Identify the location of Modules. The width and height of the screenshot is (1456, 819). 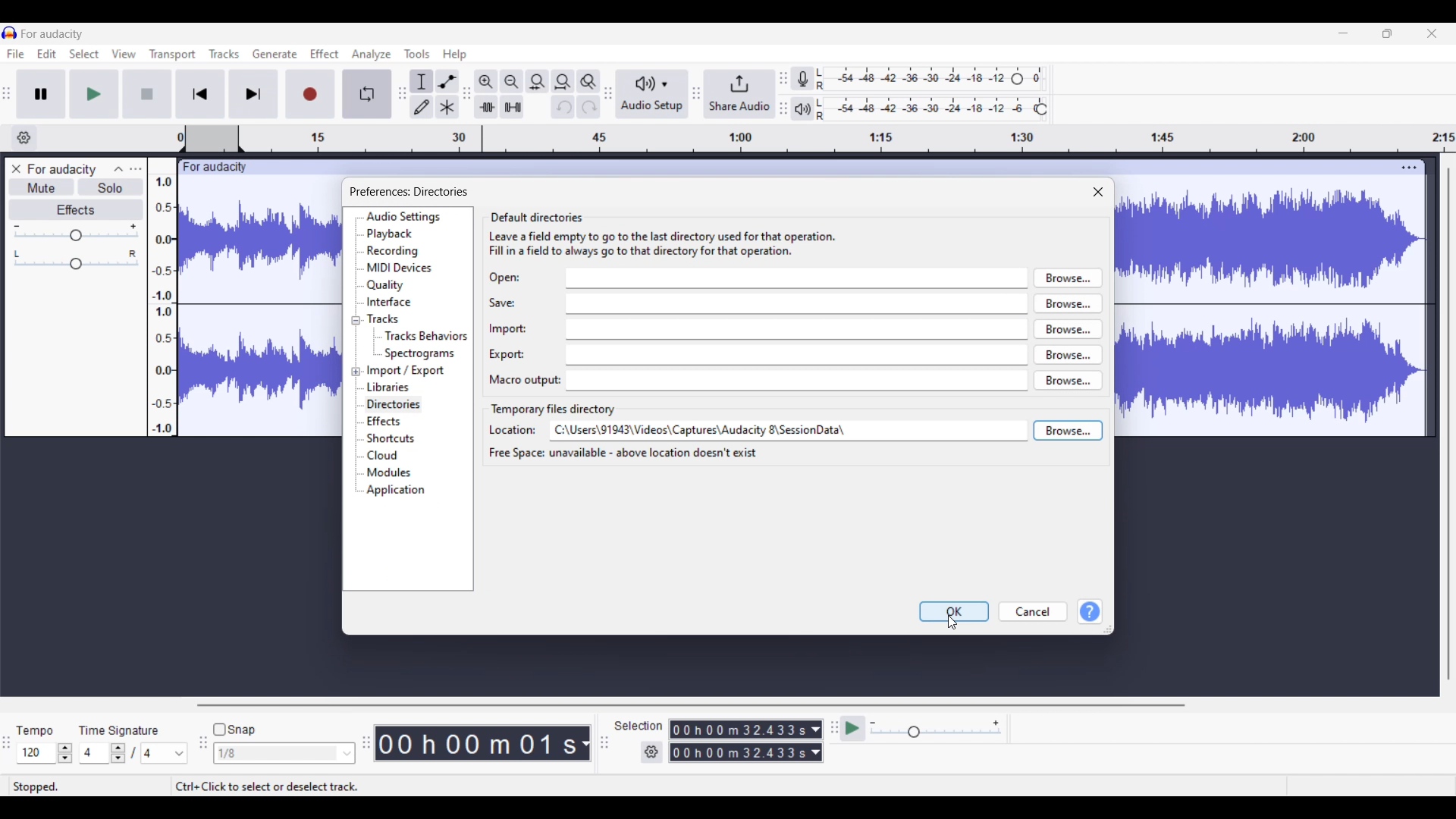
(389, 472).